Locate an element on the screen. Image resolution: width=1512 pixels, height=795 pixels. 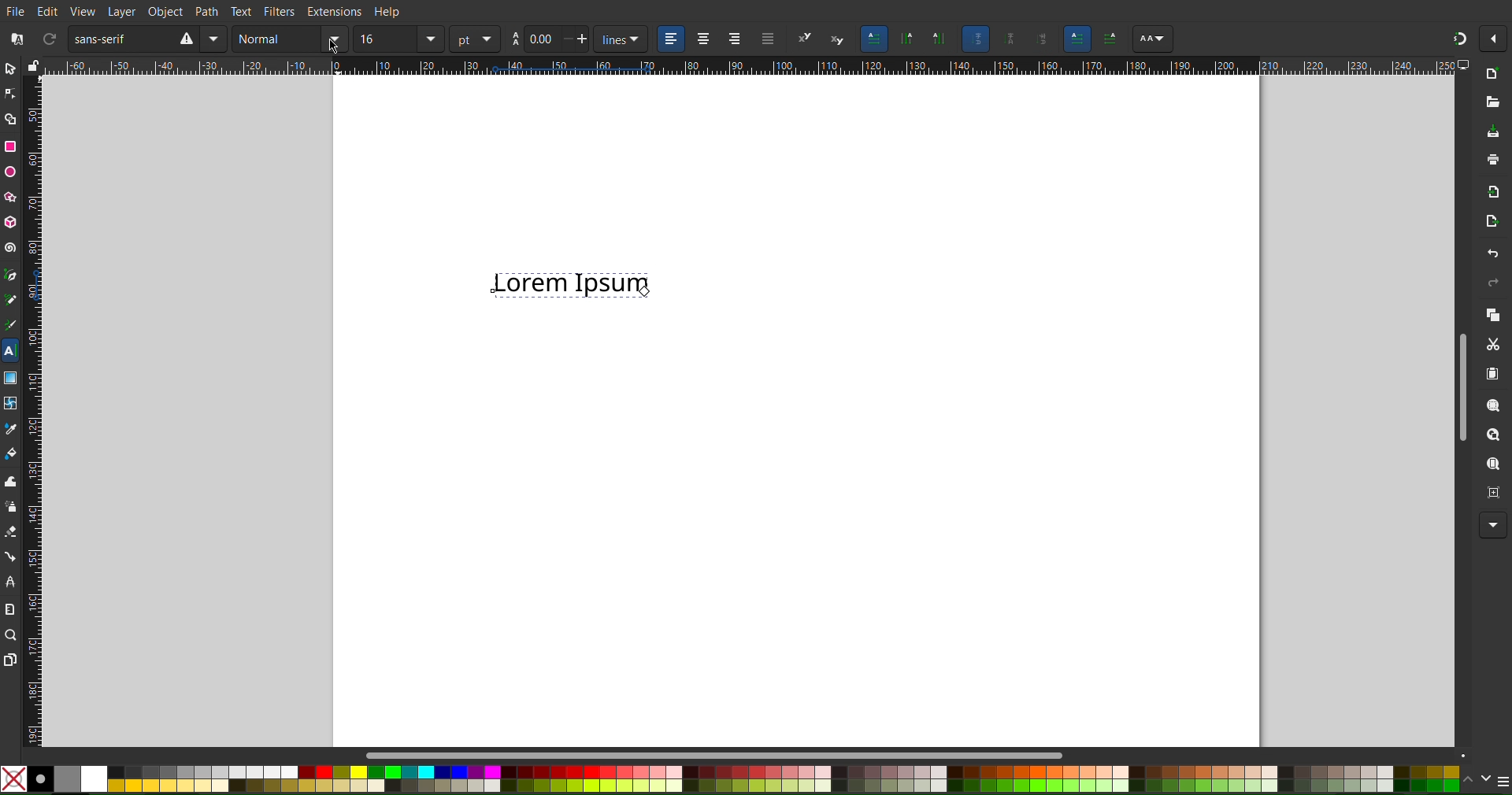
Rectangle is located at coordinates (10, 147).